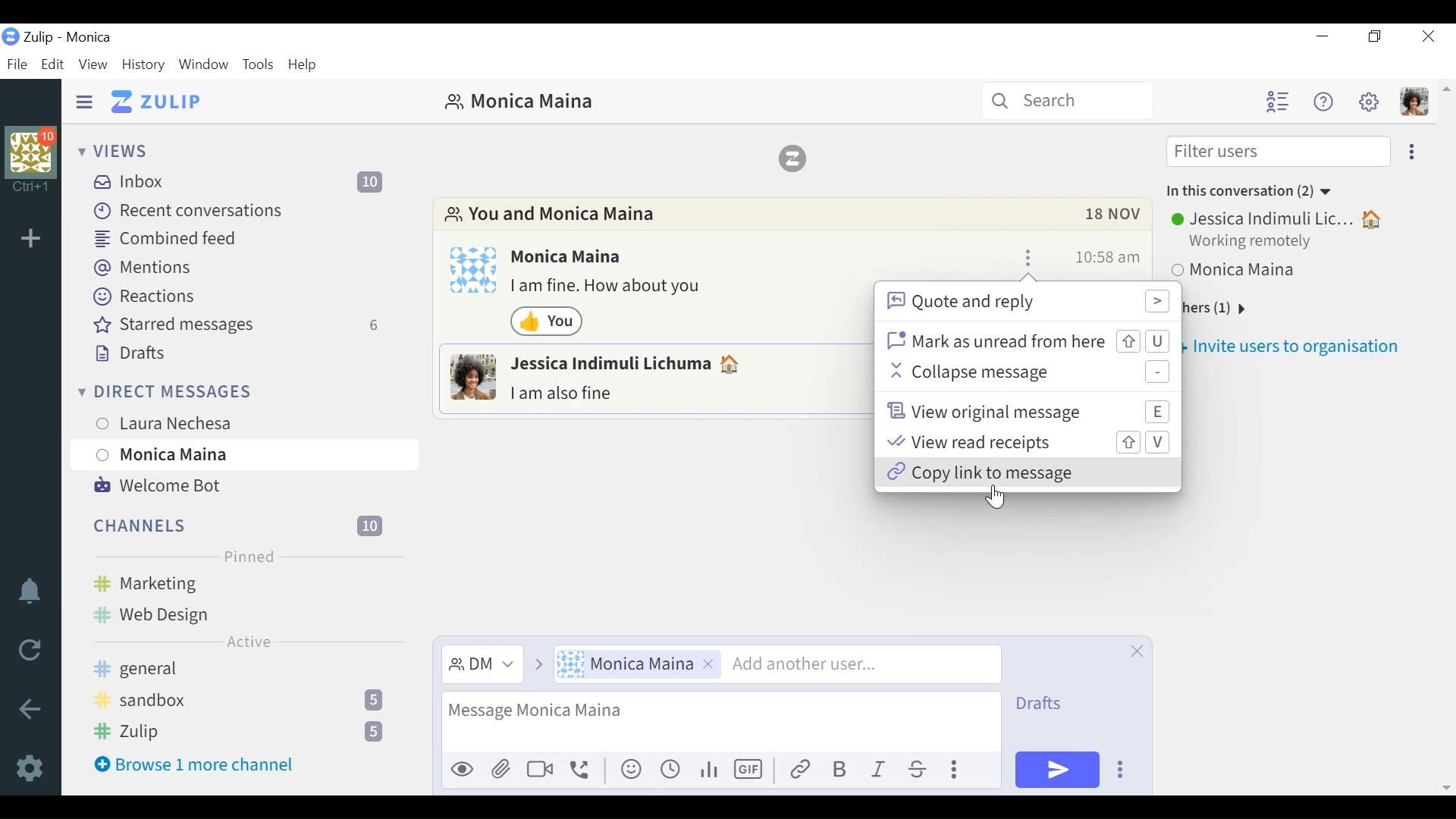  Describe the element at coordinates (1375, 37) in the screenshot. I see `Restore` at that location.